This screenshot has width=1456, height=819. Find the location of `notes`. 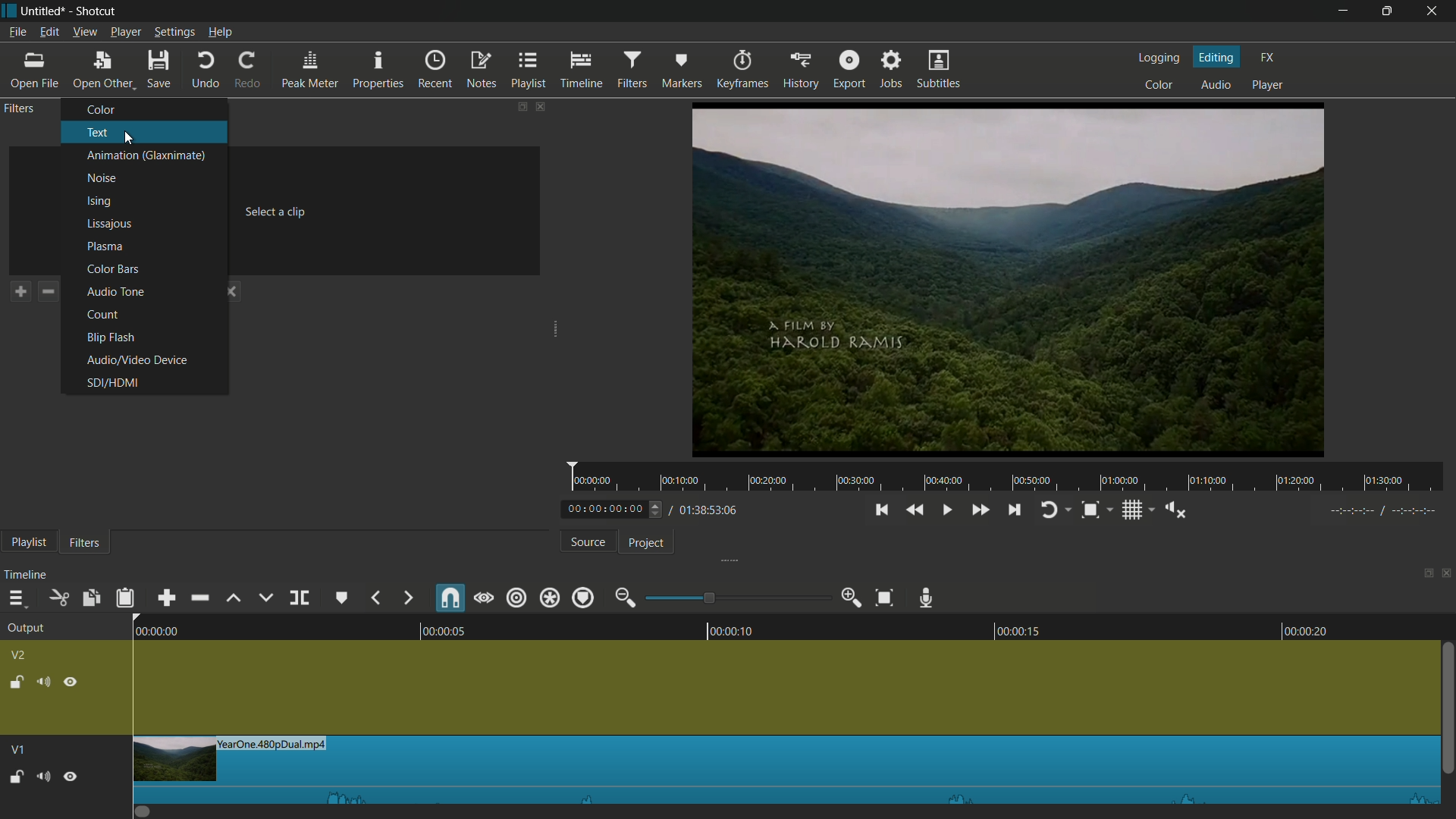

notes is located at coordinates (483, 69).